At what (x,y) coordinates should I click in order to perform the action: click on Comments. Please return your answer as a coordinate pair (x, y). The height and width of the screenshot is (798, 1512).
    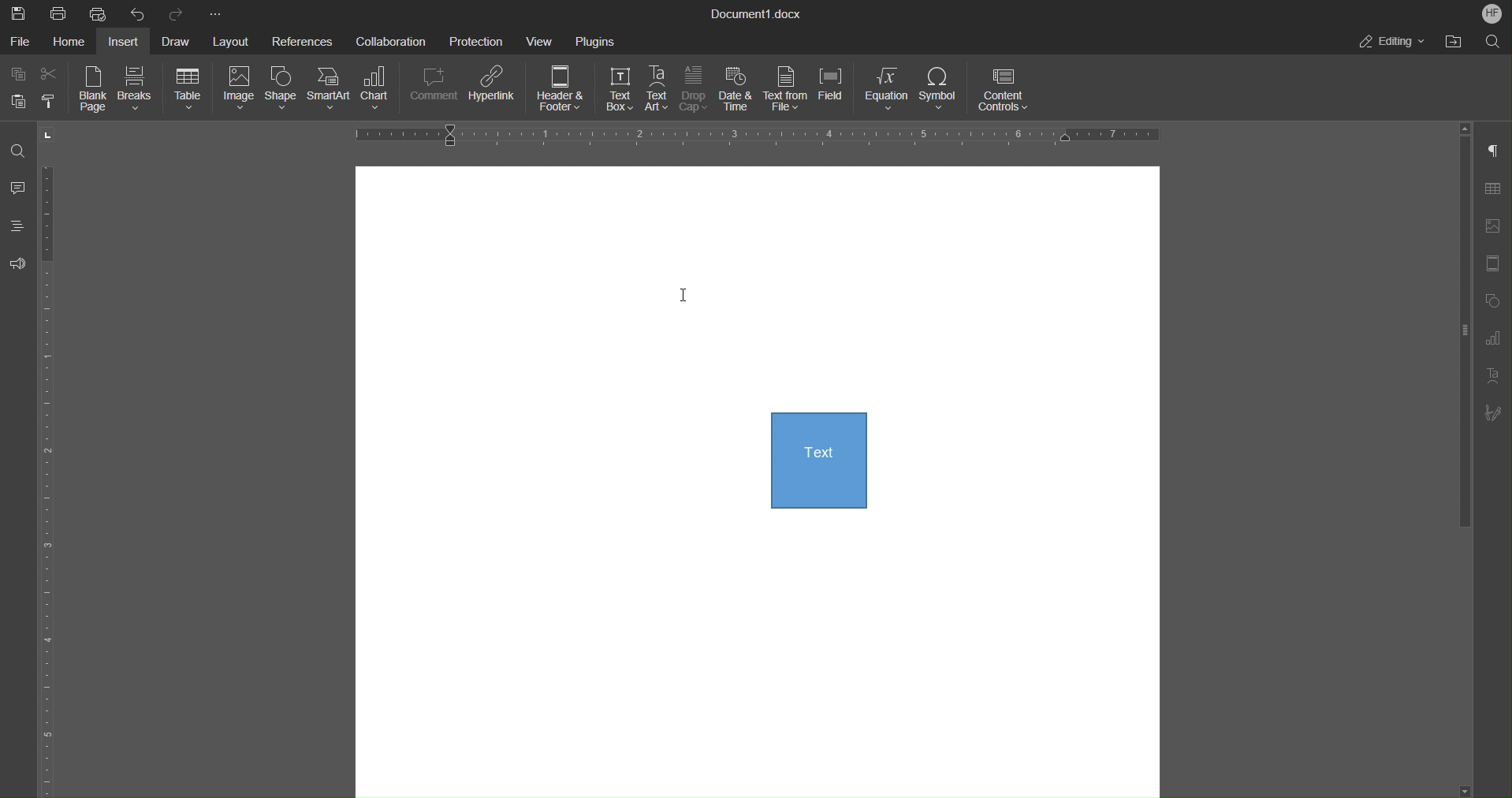
    Looking at the image, I should click on (19, 189).